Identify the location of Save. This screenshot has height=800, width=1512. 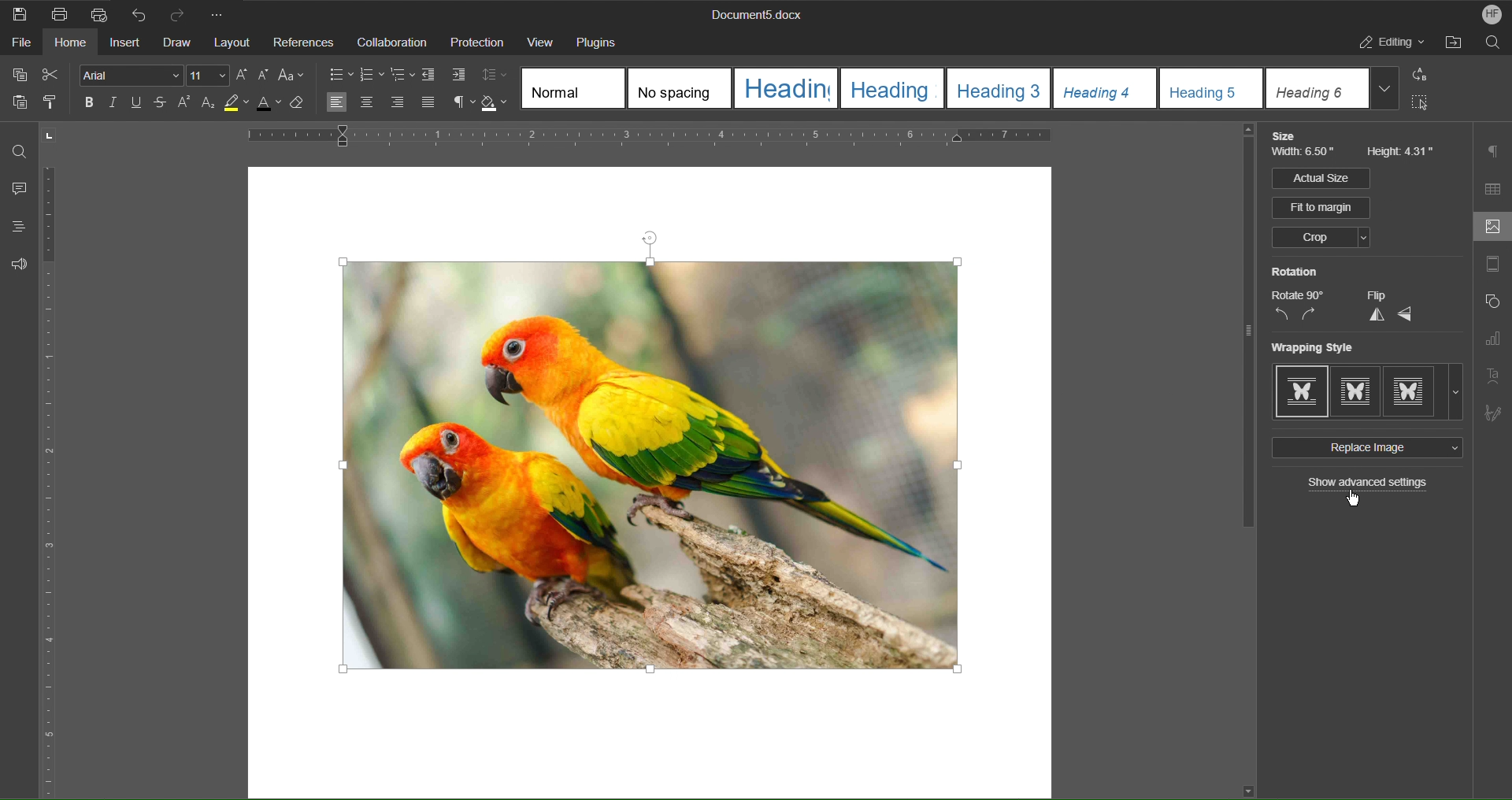
(20, 13).